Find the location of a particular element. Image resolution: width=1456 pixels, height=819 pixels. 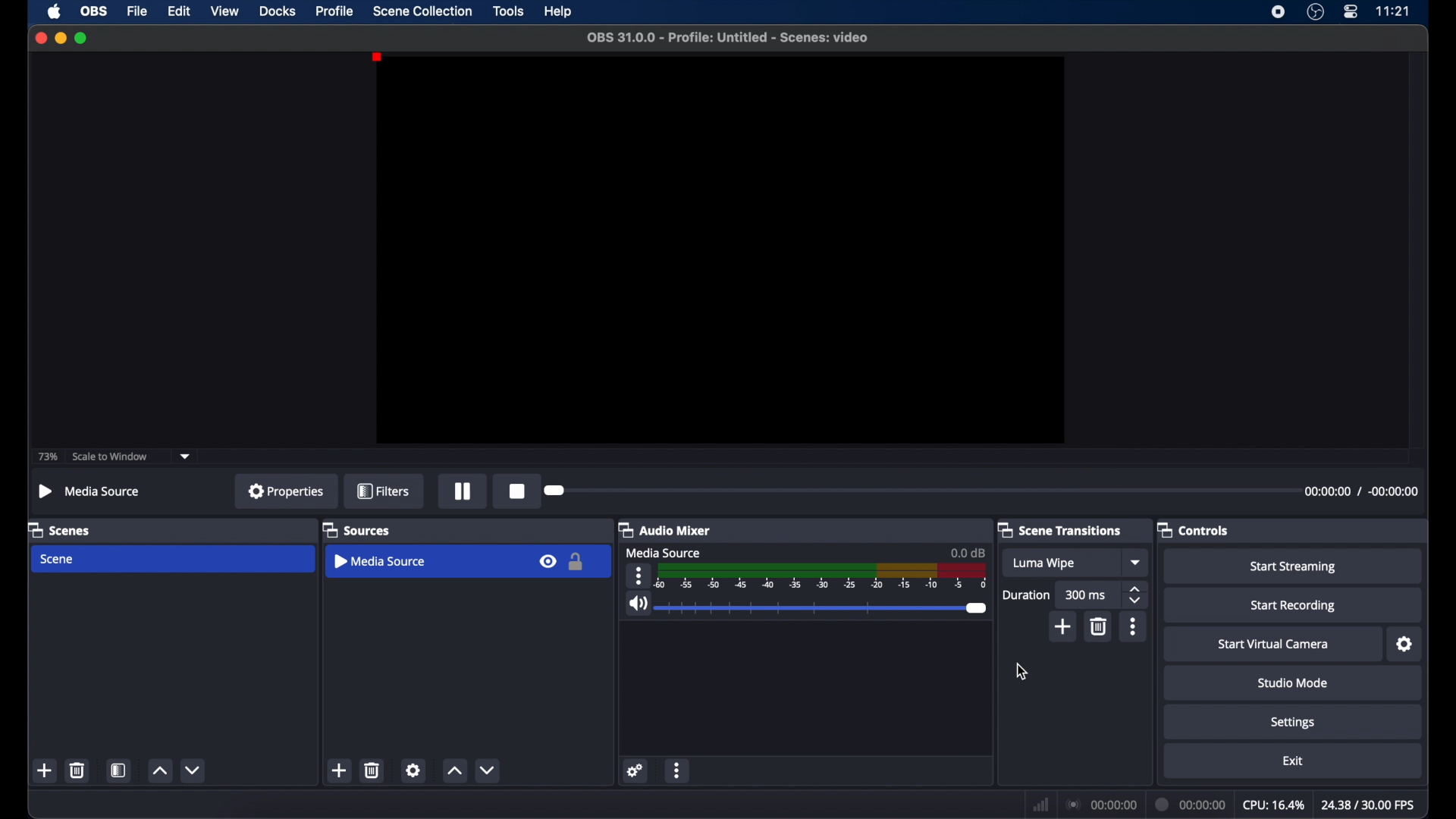

delete is located at coordinates (78, 770).